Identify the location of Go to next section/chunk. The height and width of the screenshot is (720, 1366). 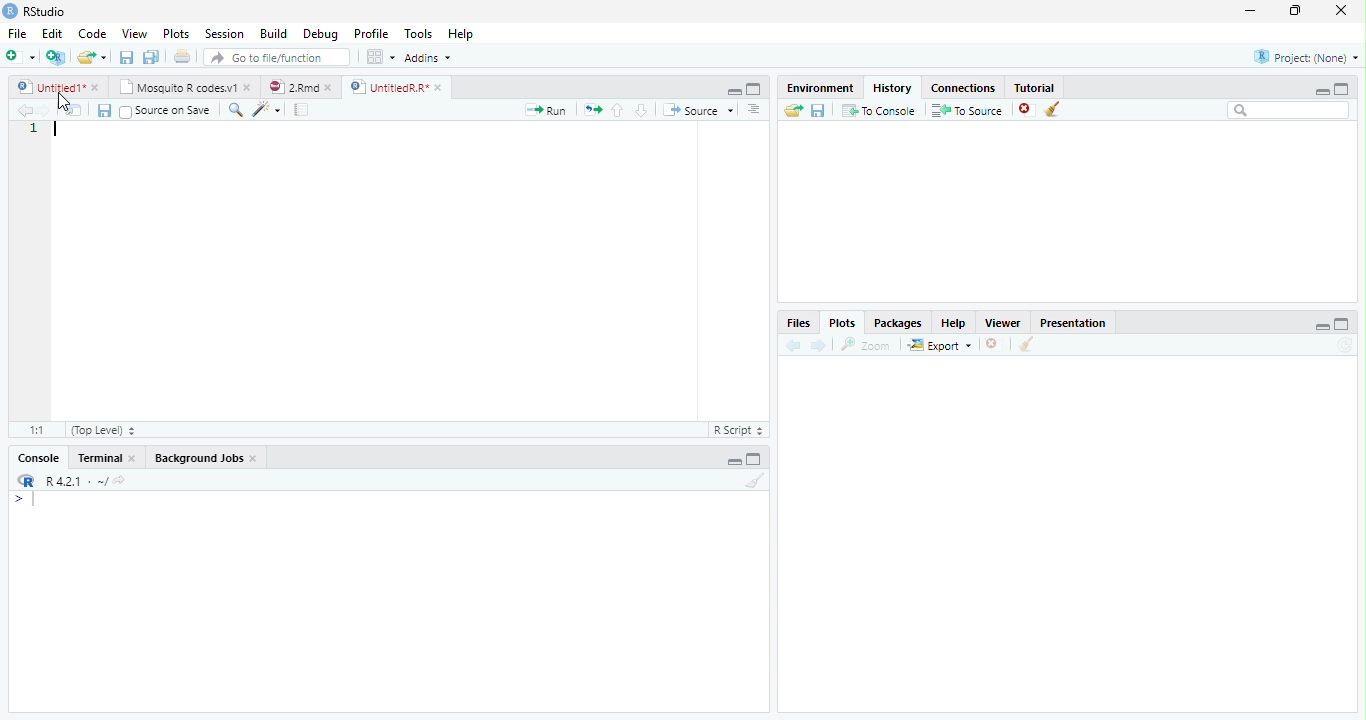
(641, 111).